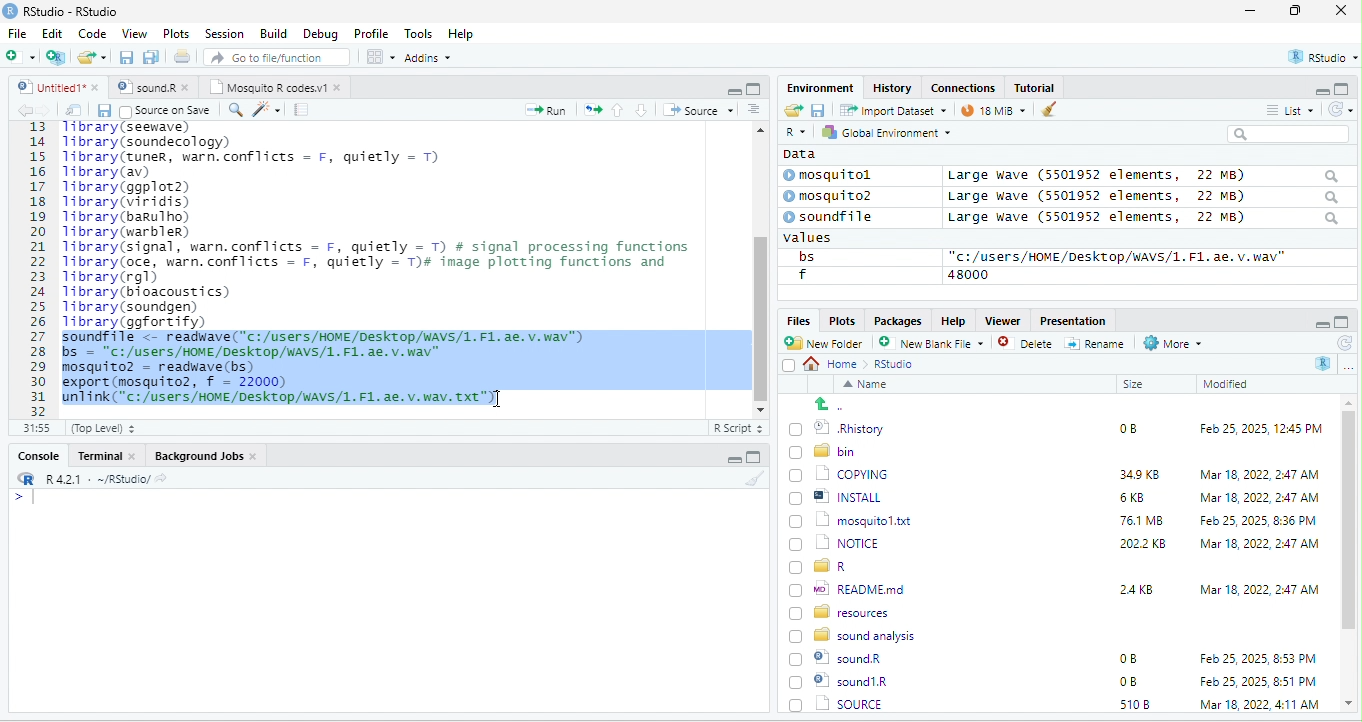 The image size is (1362, 722). I want to click on Code, so click(93, 33).